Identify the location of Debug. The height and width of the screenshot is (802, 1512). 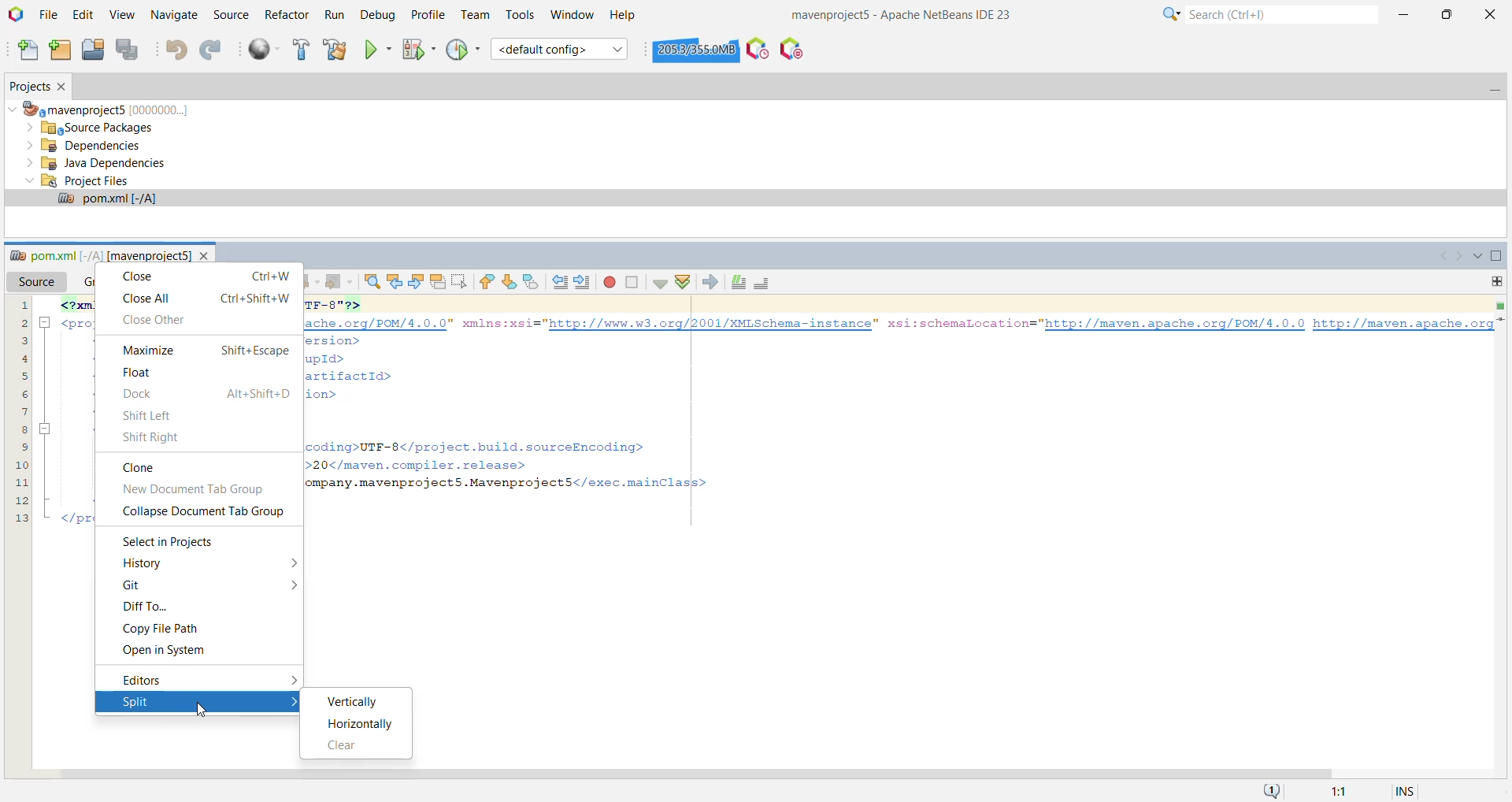
(376, 16).